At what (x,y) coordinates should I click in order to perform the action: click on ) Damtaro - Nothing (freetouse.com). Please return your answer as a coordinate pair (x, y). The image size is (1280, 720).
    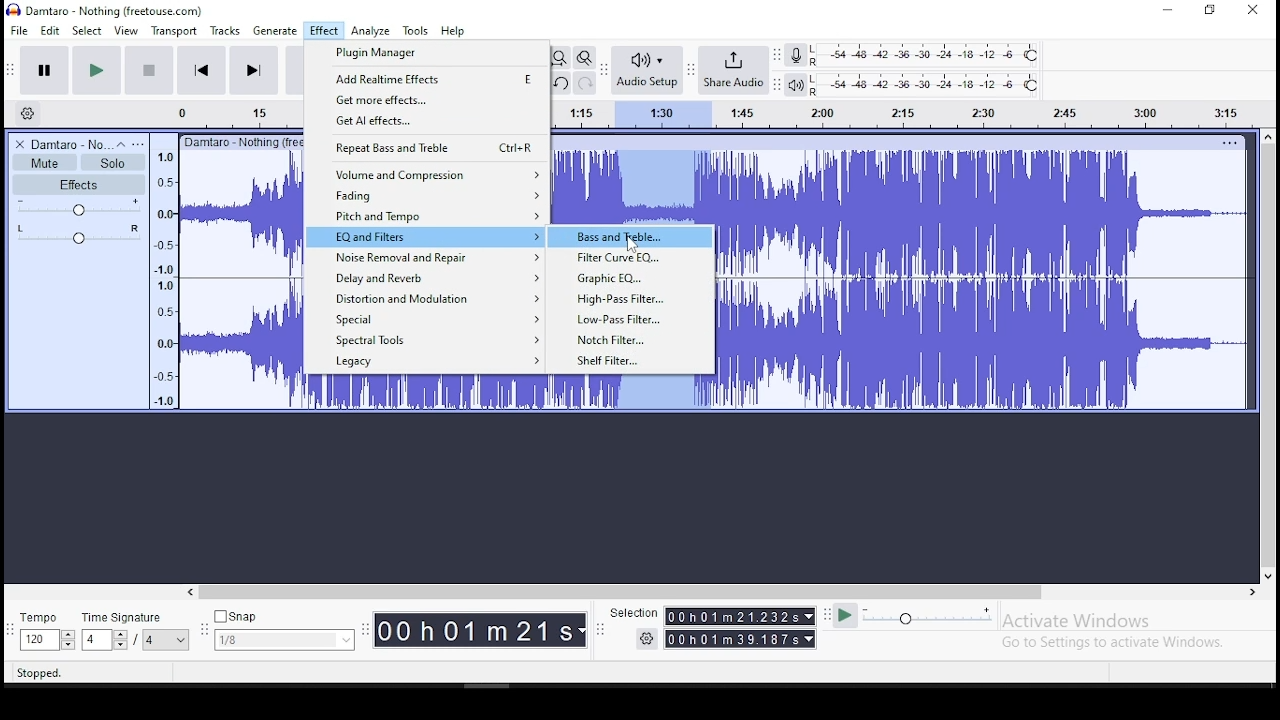
    Looking at the image, I should click on (107, 10).